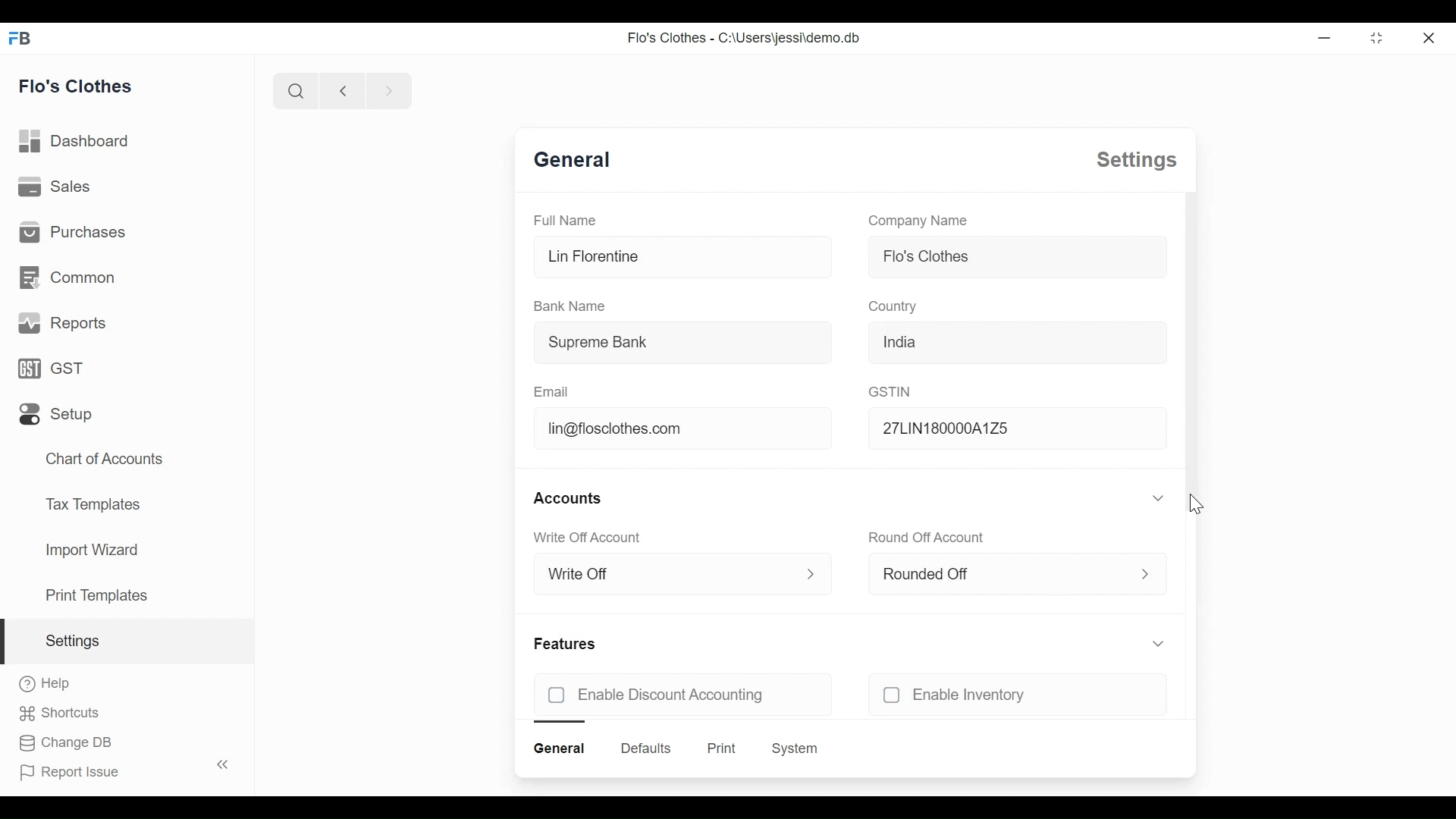 This screenshot has width=1456, height=819. Describe the element at coordinates (76, 84) in the screenshot. I see `Flo's Clothes` at that location.